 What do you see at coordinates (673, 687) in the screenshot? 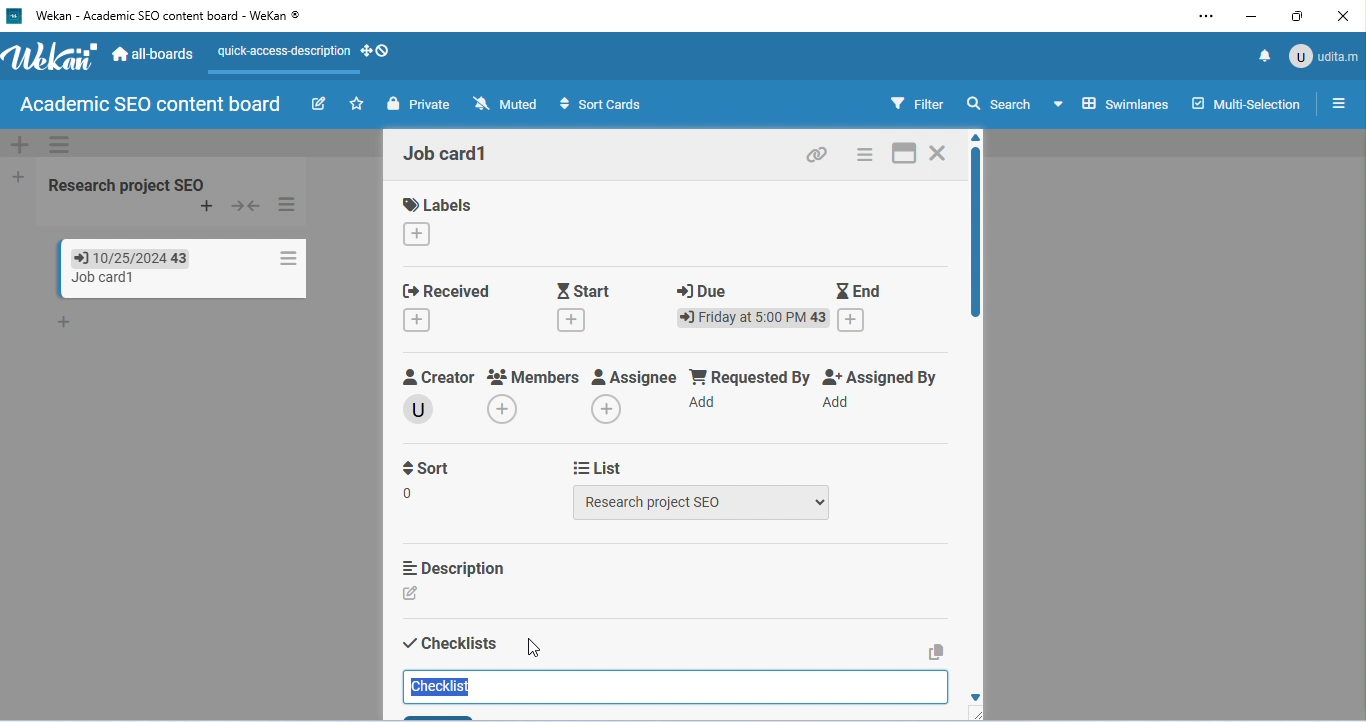
I see `space for typing checklist name` at bounding box center [673, 687].